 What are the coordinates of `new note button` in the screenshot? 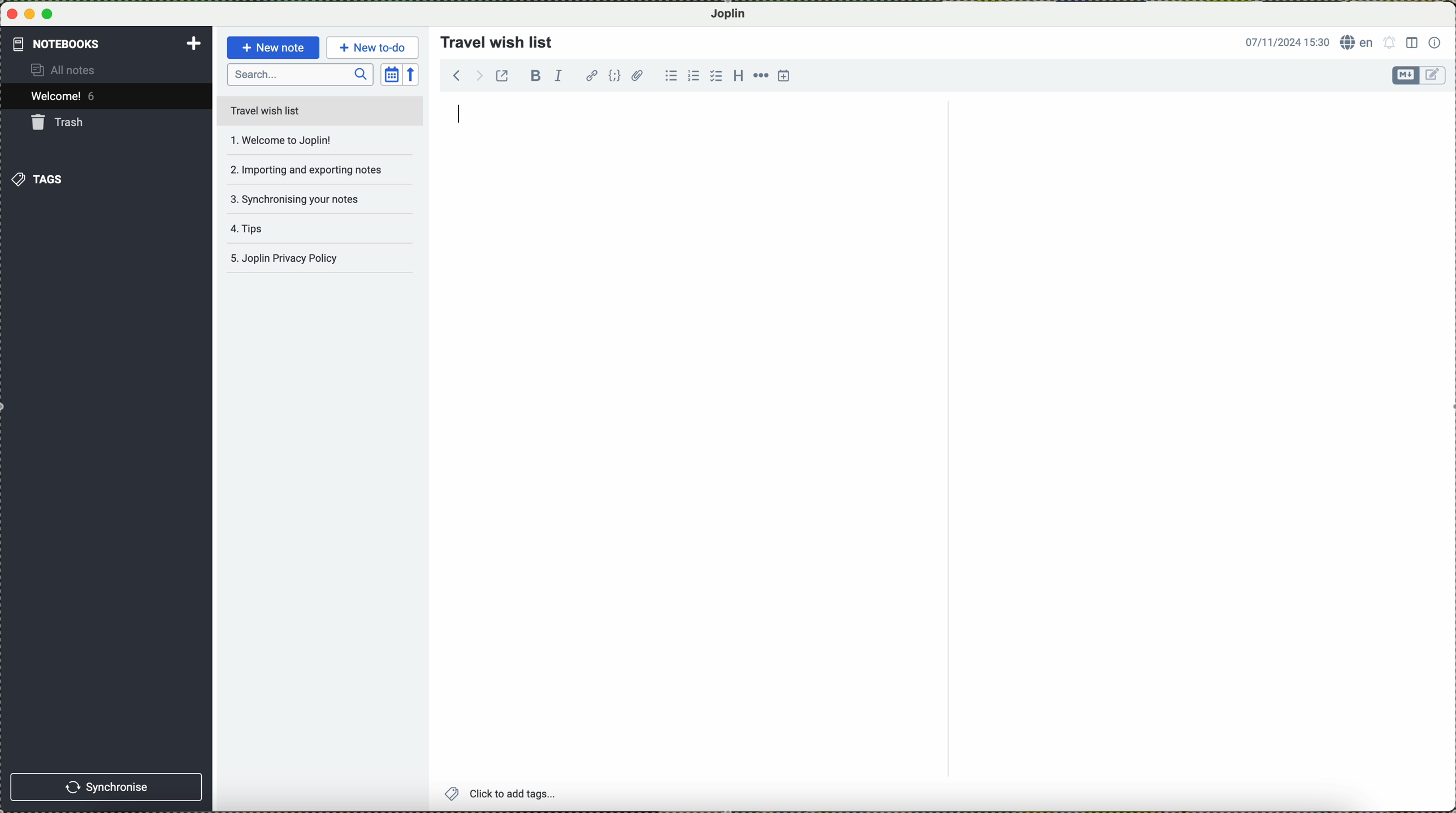 It's located at (271, 47).